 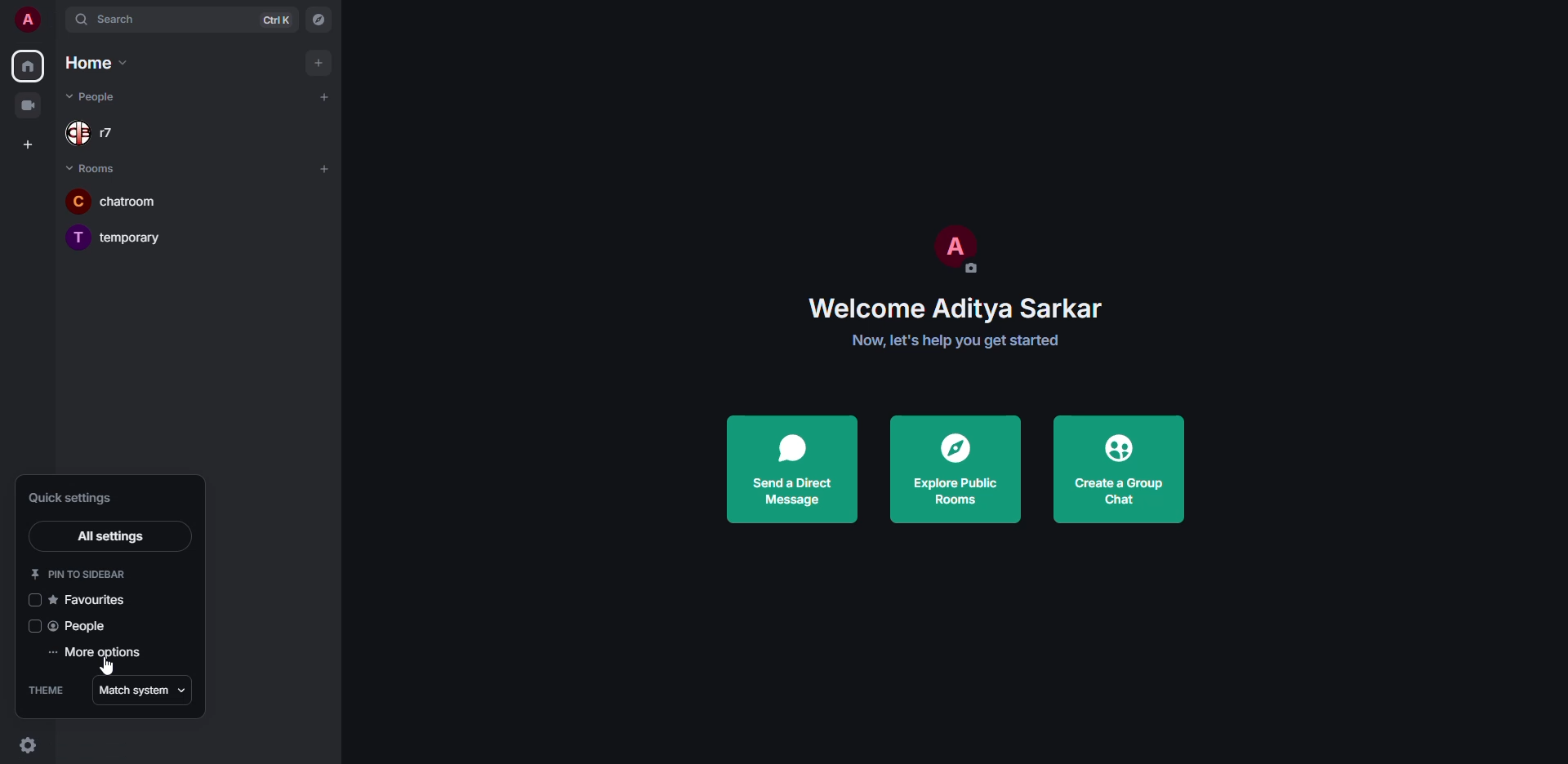 I want to click on create space, so click(x=29, y=144).